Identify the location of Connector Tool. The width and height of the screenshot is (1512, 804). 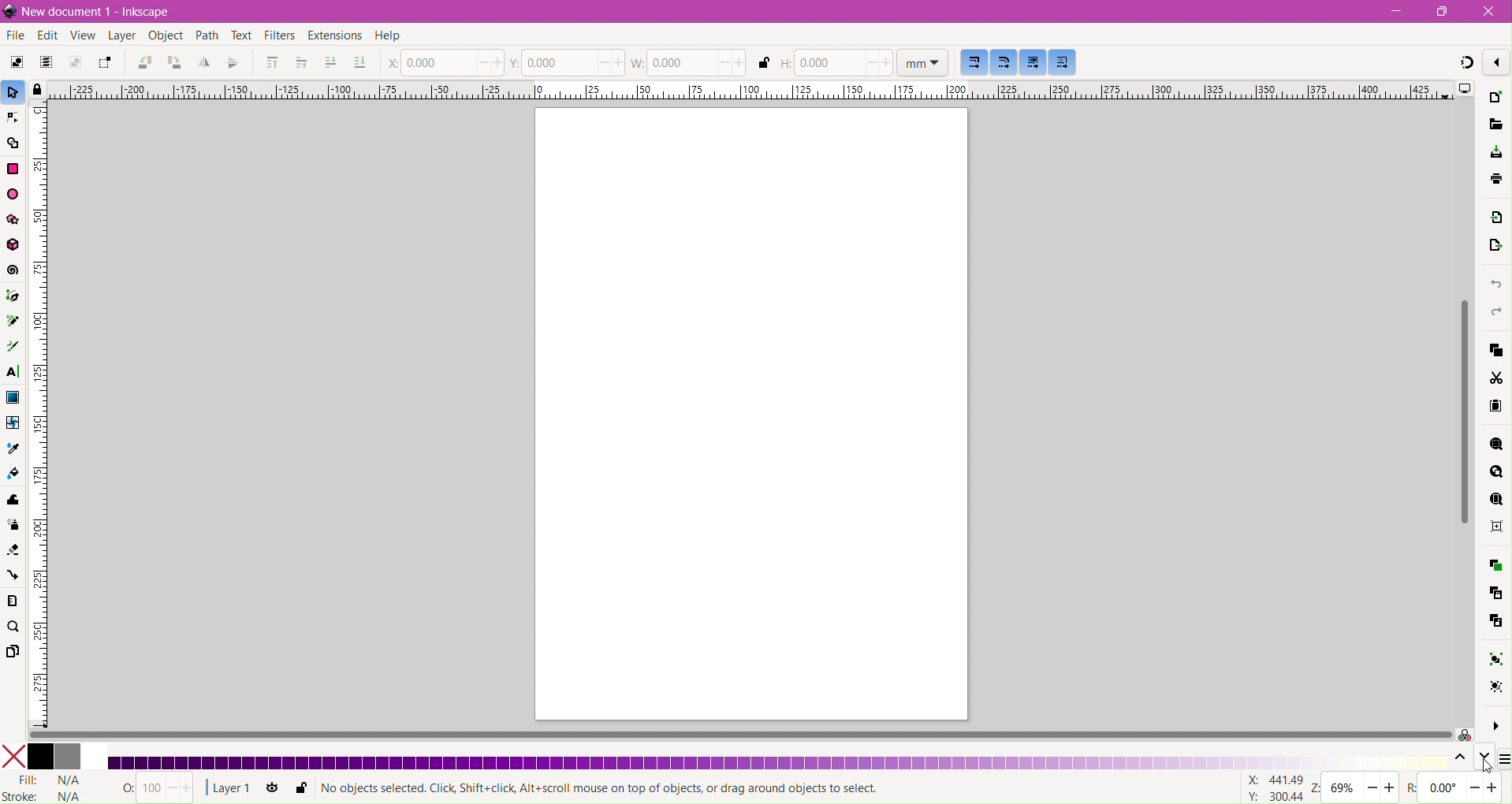
(12, 576).